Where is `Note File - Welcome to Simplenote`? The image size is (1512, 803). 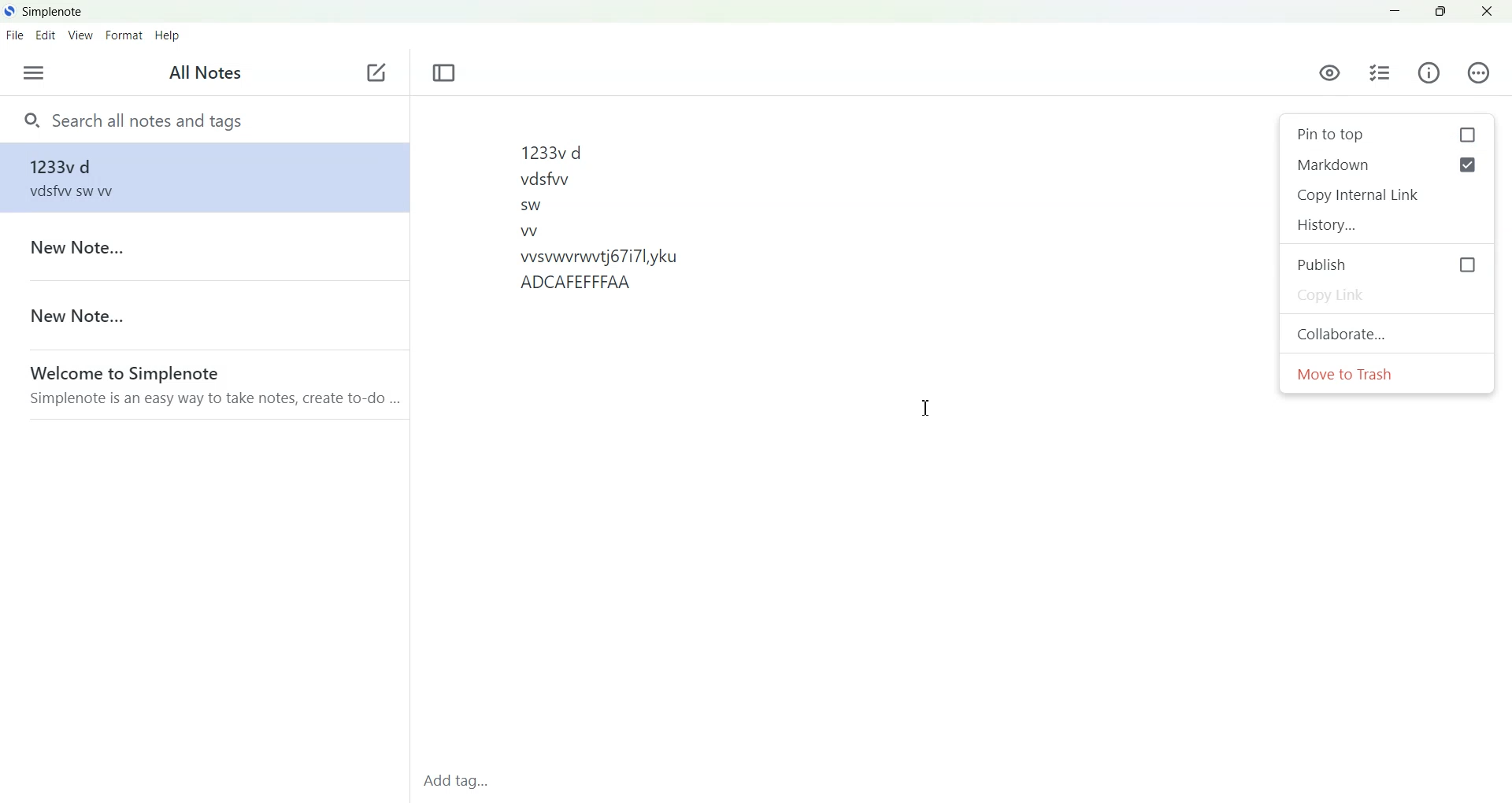
Note File - Welcome to Simplenote is located at coordinates (203, 384).